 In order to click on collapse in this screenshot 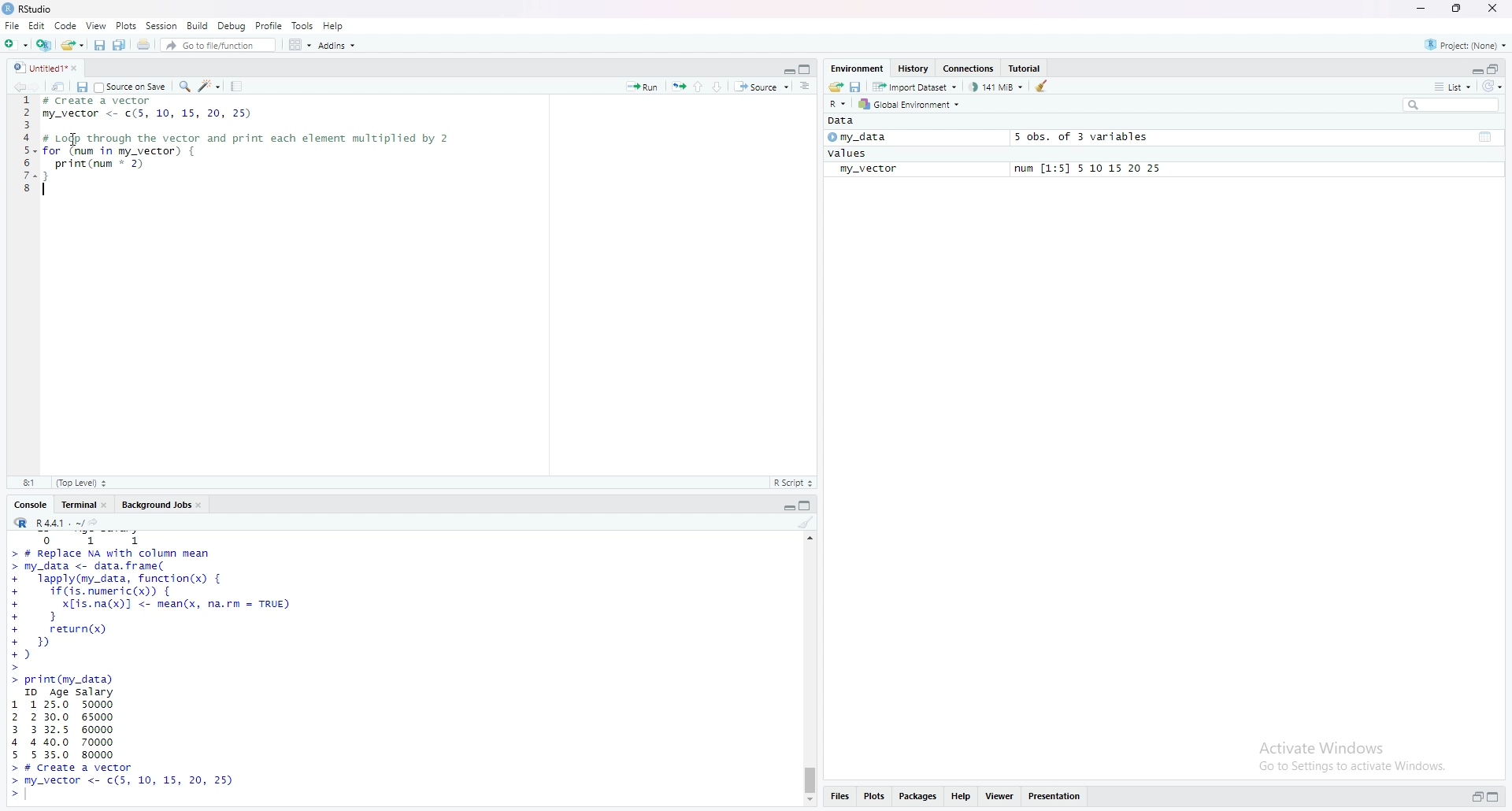, I will do `click(1488, 137)`.